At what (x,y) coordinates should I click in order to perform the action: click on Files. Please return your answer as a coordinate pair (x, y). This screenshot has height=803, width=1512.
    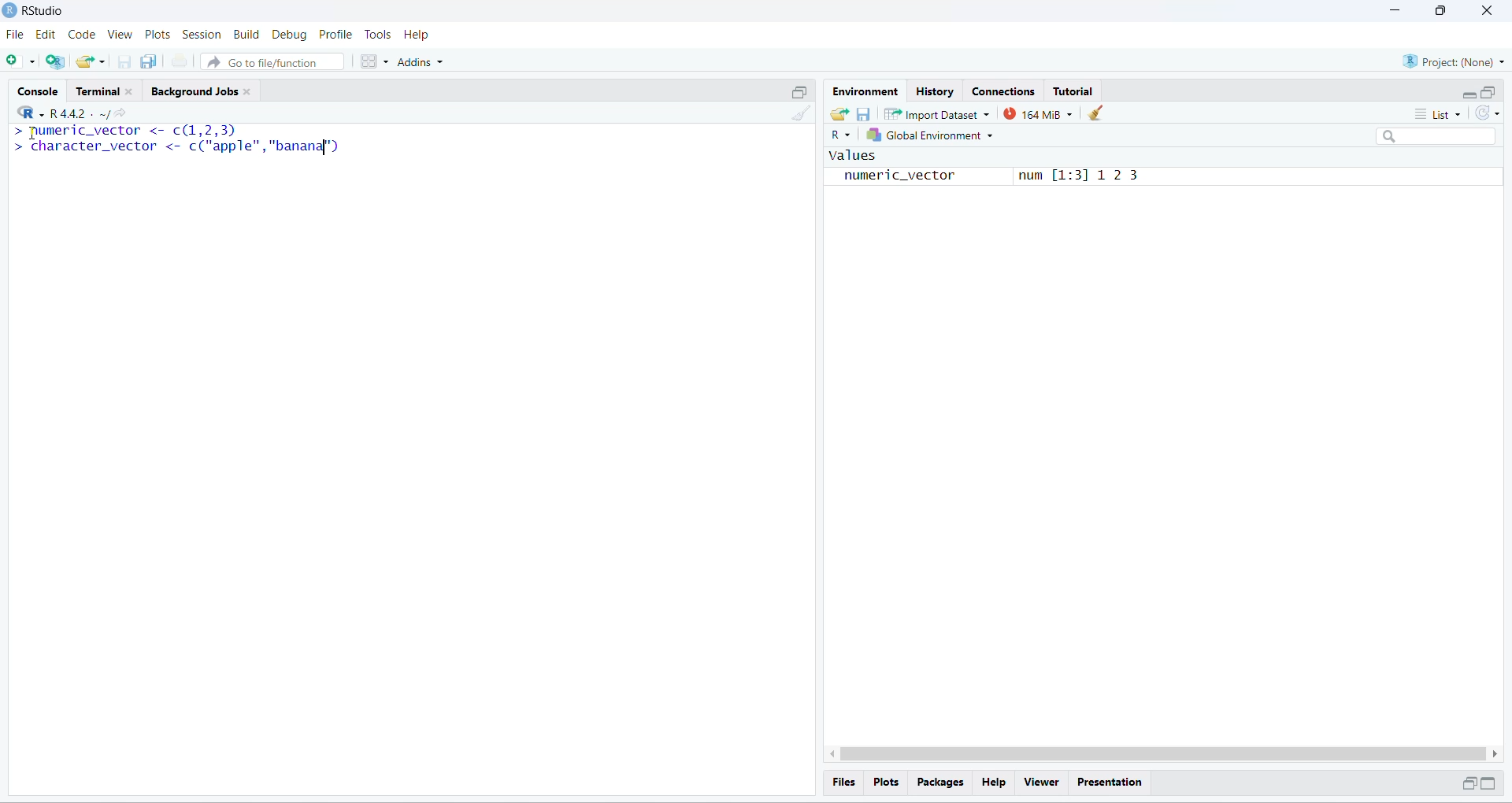
    Looking at the image, I should click on (844, 782).